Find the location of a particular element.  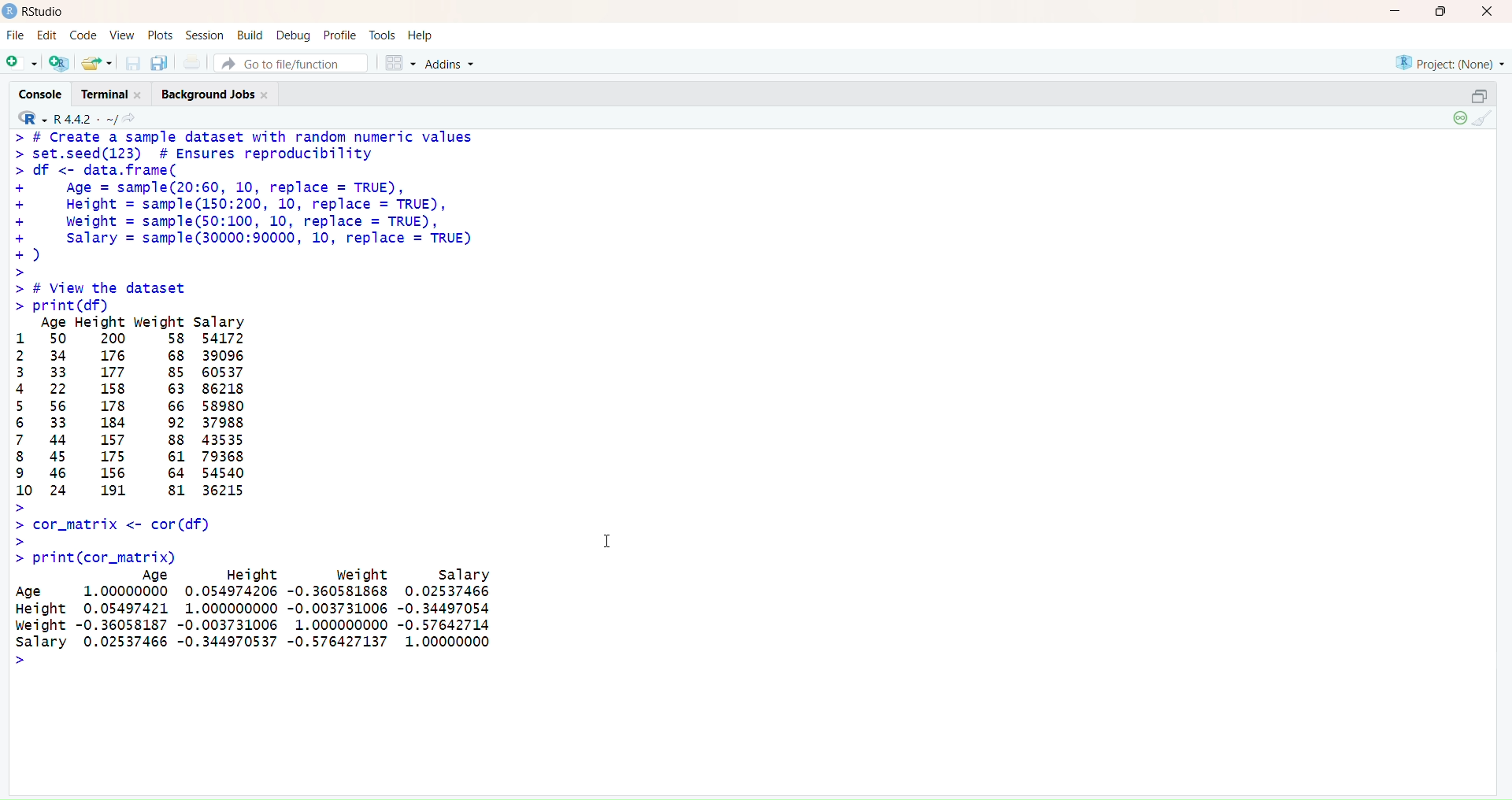

Clear Console (Ctrl + L) is located at coordinates (1485, 120).